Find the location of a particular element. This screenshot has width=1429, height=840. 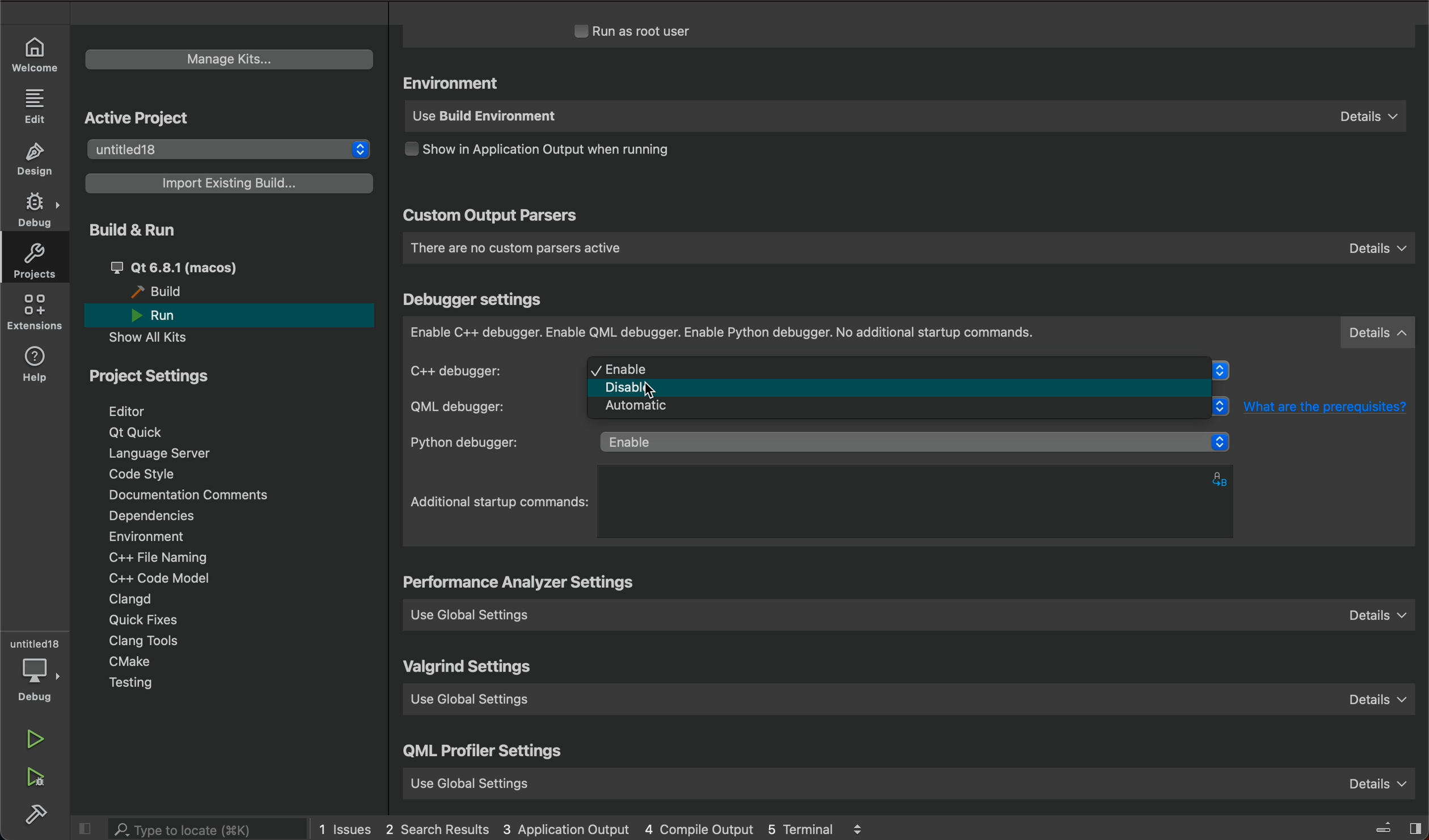

quick  is located at coordinates (147, 621).